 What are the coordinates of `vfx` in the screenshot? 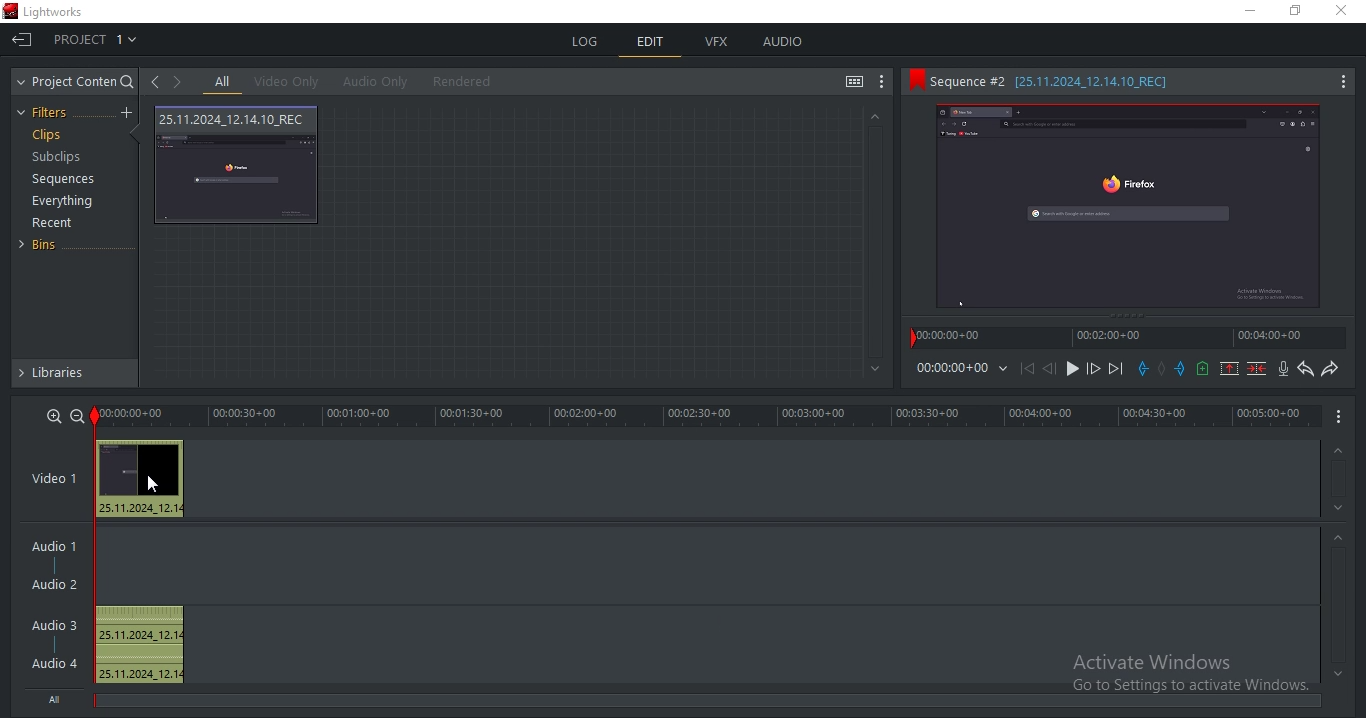 It's located at (721, 43).